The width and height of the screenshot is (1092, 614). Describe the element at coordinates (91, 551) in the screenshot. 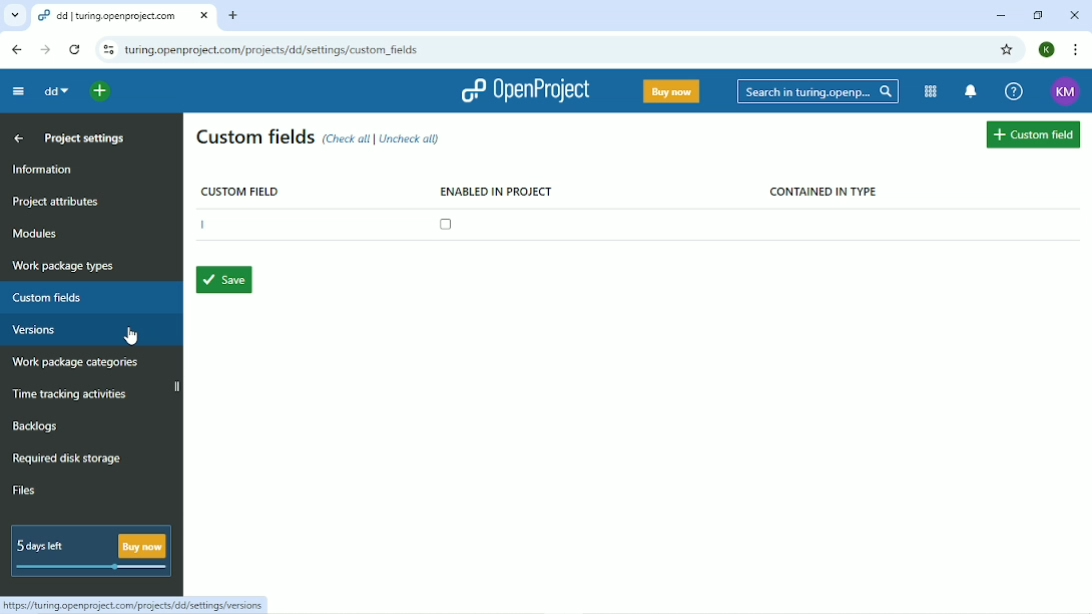

I see `5 days left` at that location.